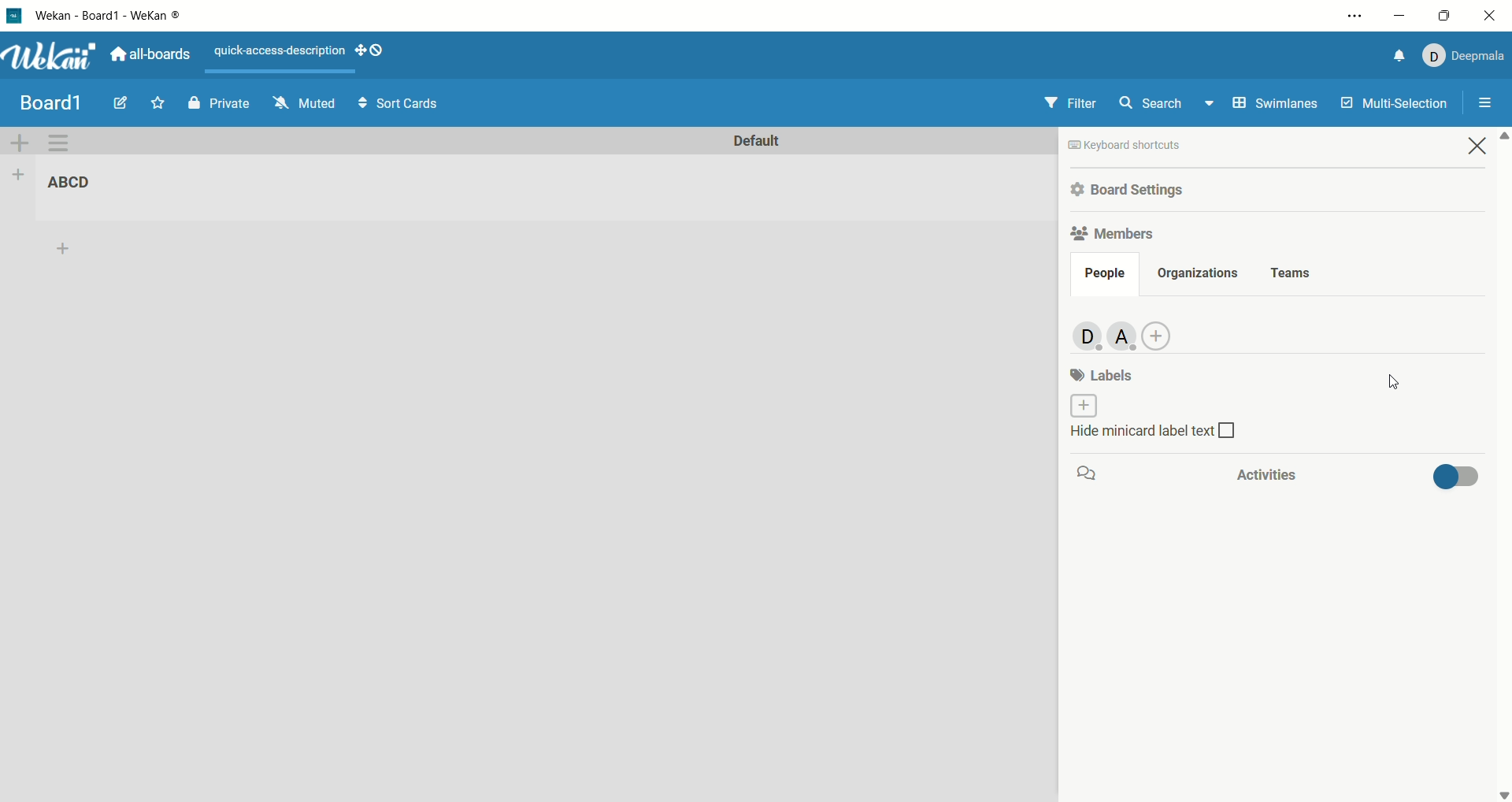  I want to click on account, so click(1465, 56).